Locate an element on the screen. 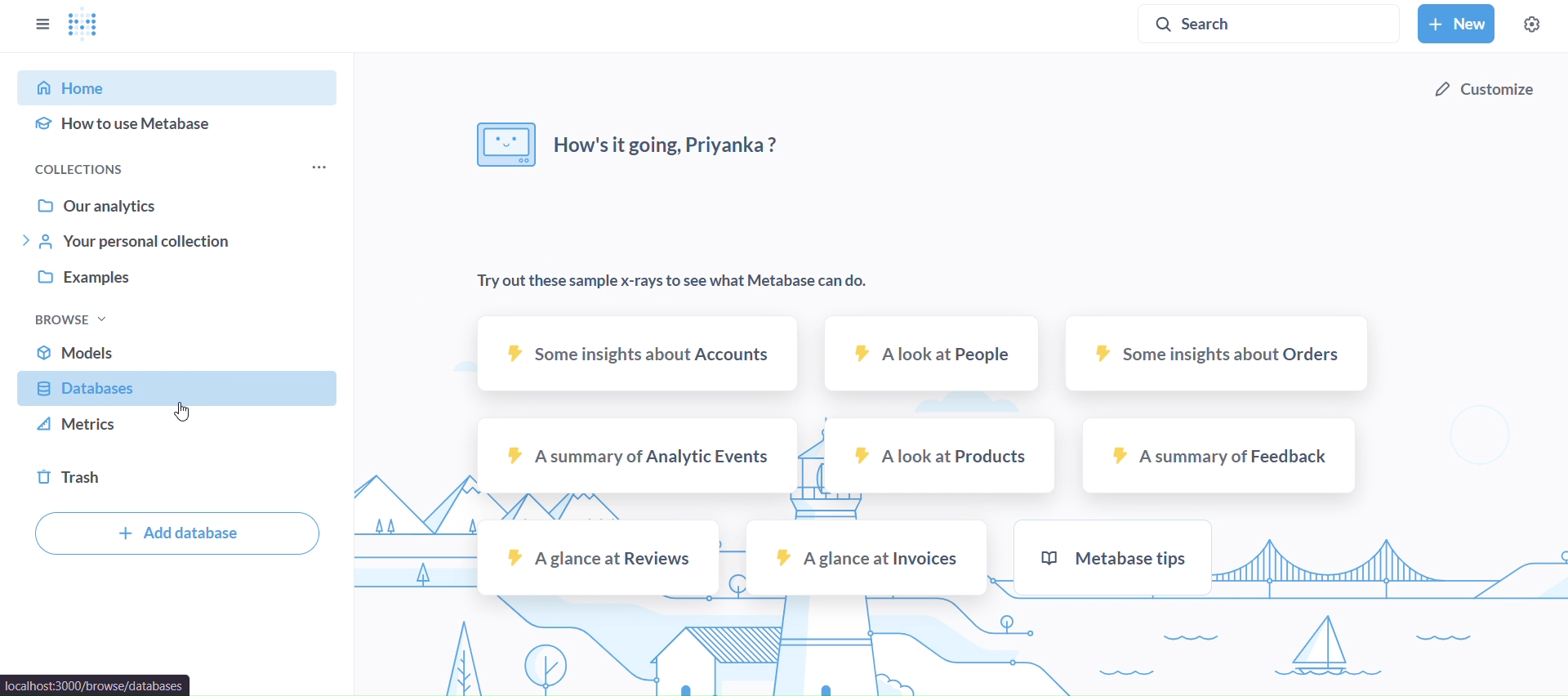 The image size is (1568, 696). try these ample x-rays to see what metabase can do. is located at coordinates (677, 281).